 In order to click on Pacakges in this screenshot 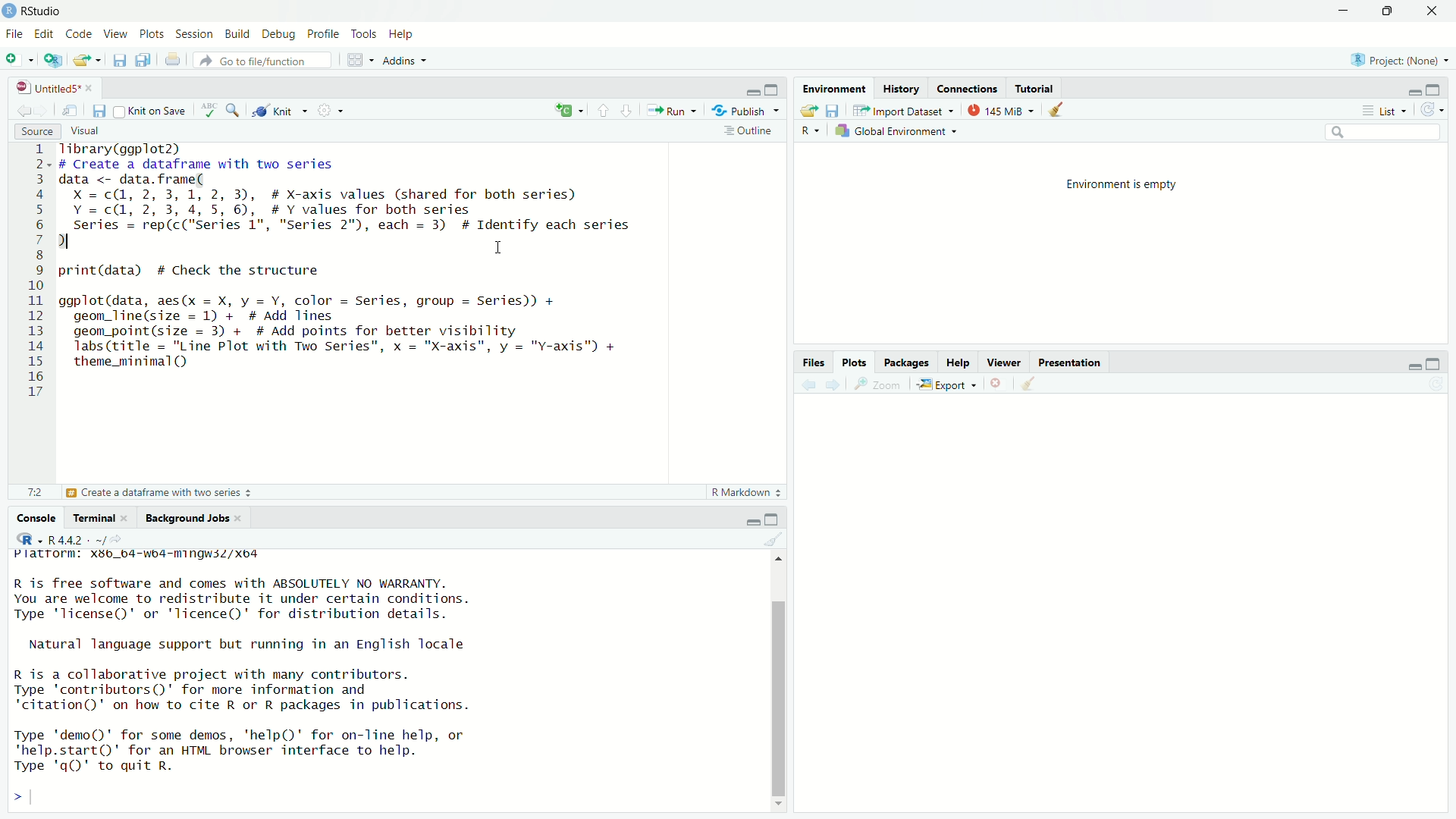, I will do `click(905, 362)`.